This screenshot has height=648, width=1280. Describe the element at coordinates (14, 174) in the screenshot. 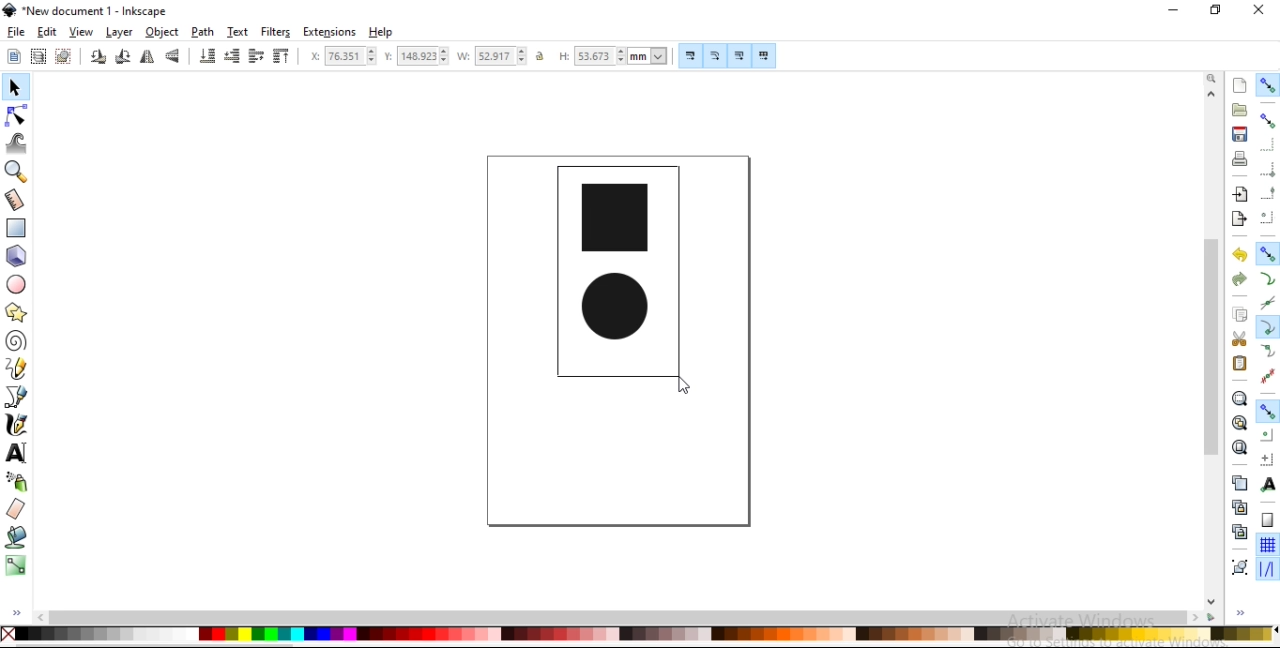

I see `zoom in or out` at that location.